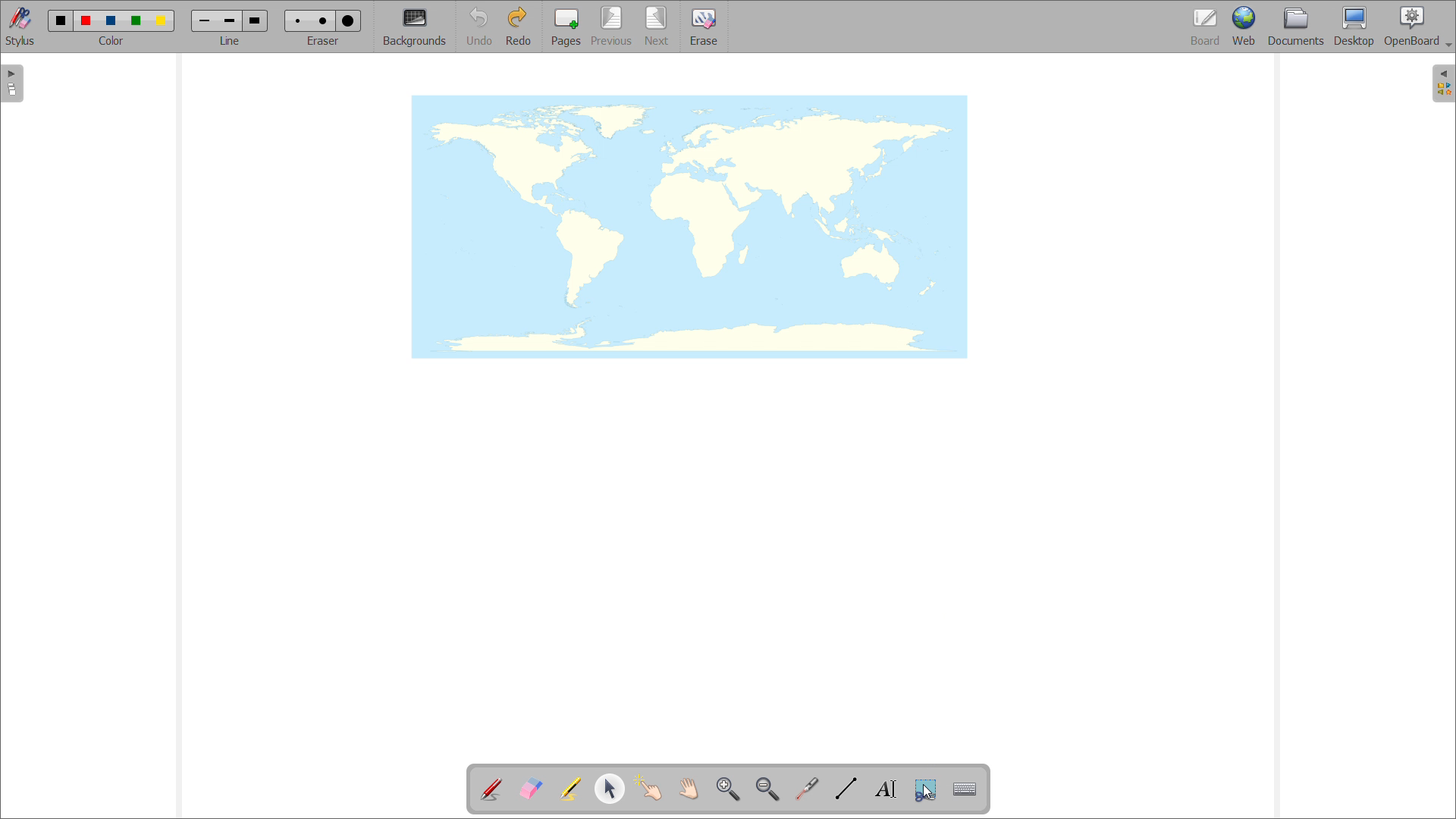 This screenshot has height=819, width=1456. Describe the element at coordinates (610, 789) in the screenshot. I see `select and modify objects` at that location.